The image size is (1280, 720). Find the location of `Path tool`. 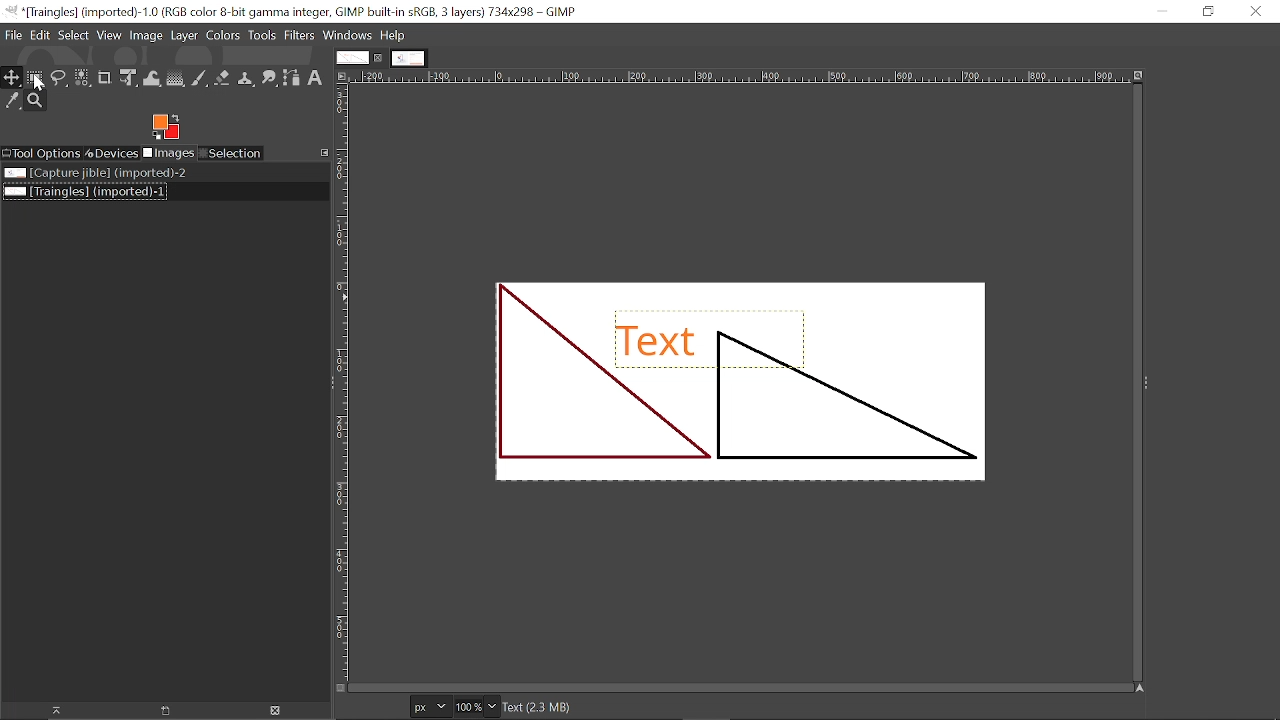

Path tool is located at coordinates (292, 79).